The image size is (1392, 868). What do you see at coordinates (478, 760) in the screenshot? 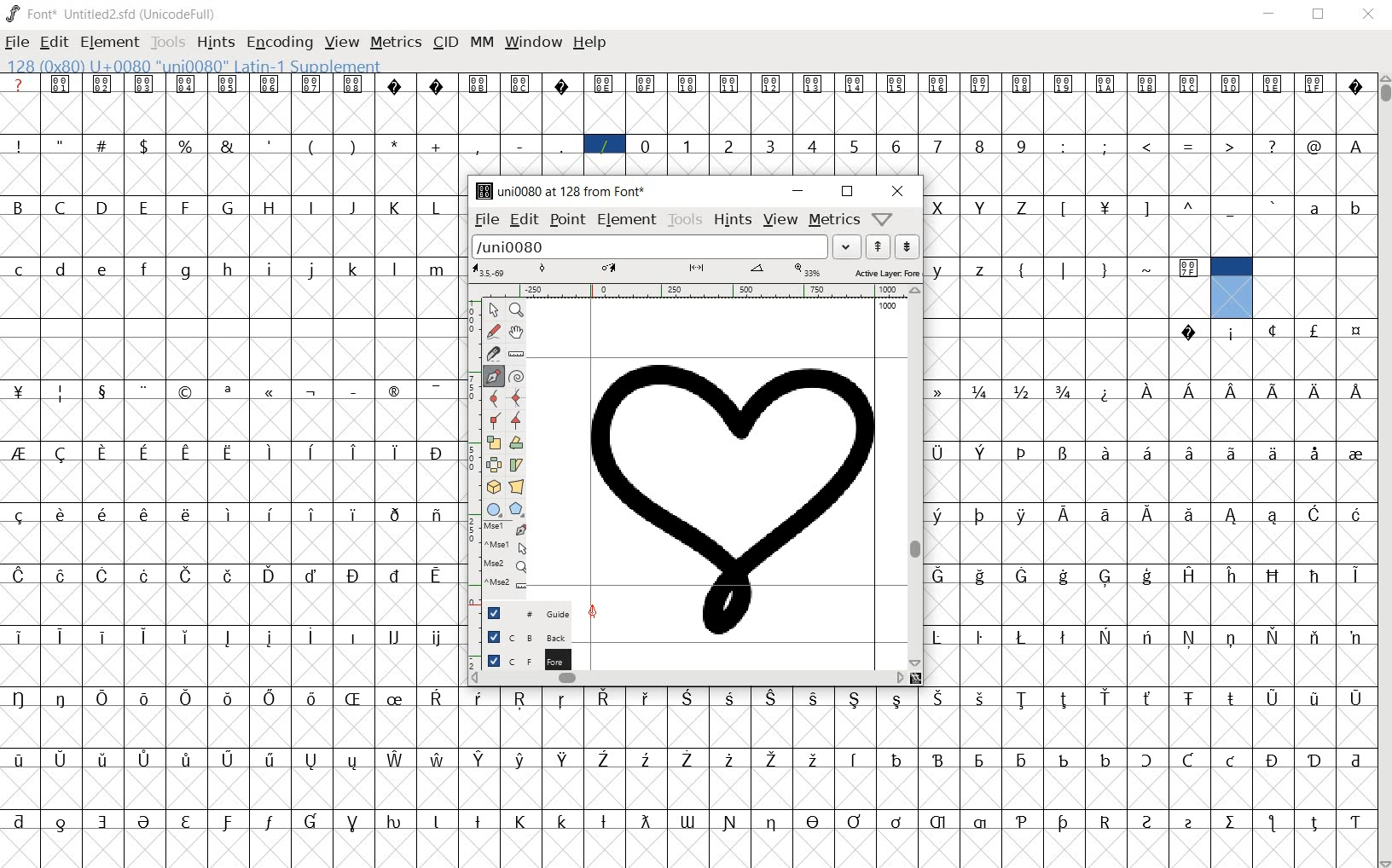
I see `glyph` at bounding box center [478, 760].